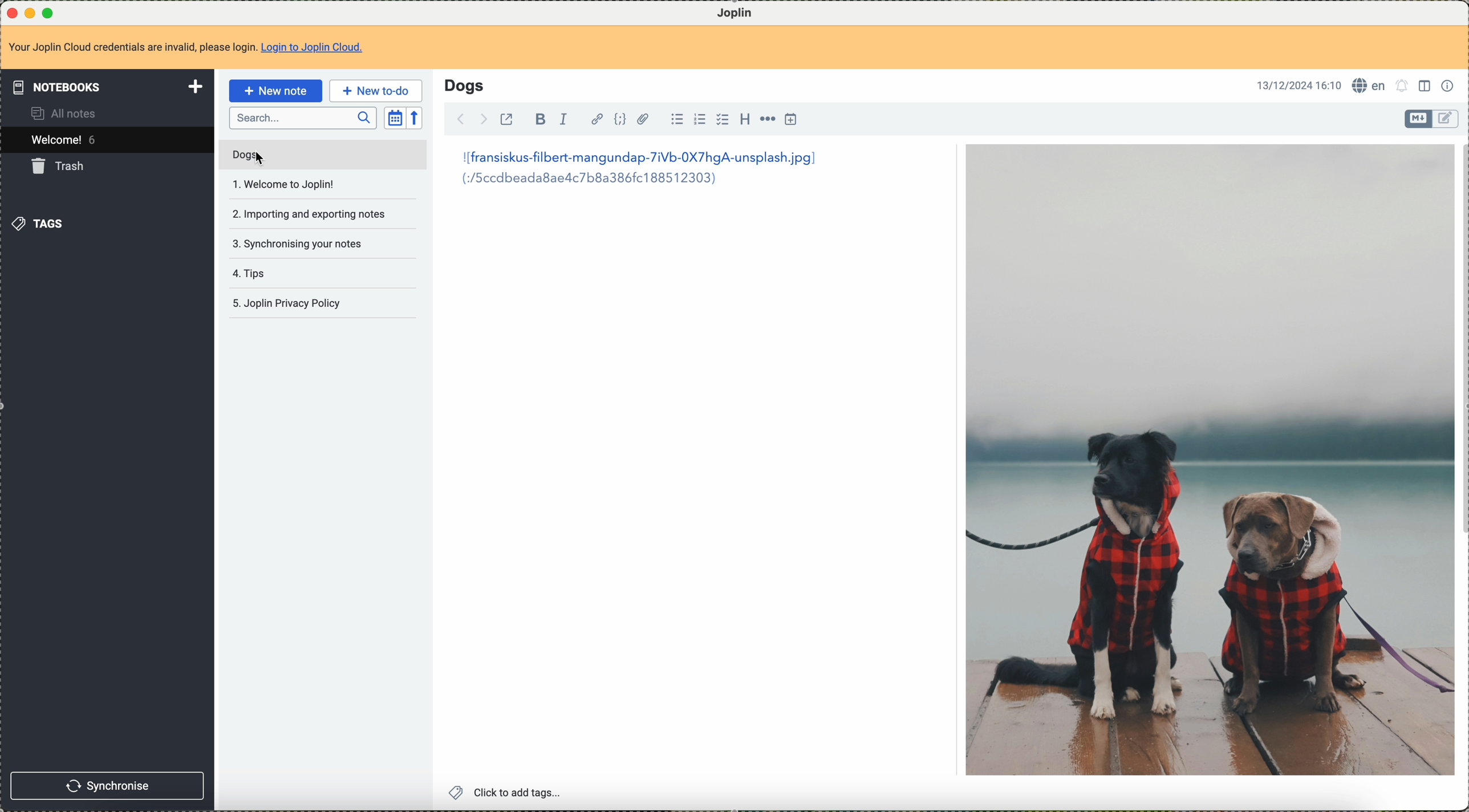 This screenshot has height=812, width=1469. I want to click on heading, so click(745, 120).